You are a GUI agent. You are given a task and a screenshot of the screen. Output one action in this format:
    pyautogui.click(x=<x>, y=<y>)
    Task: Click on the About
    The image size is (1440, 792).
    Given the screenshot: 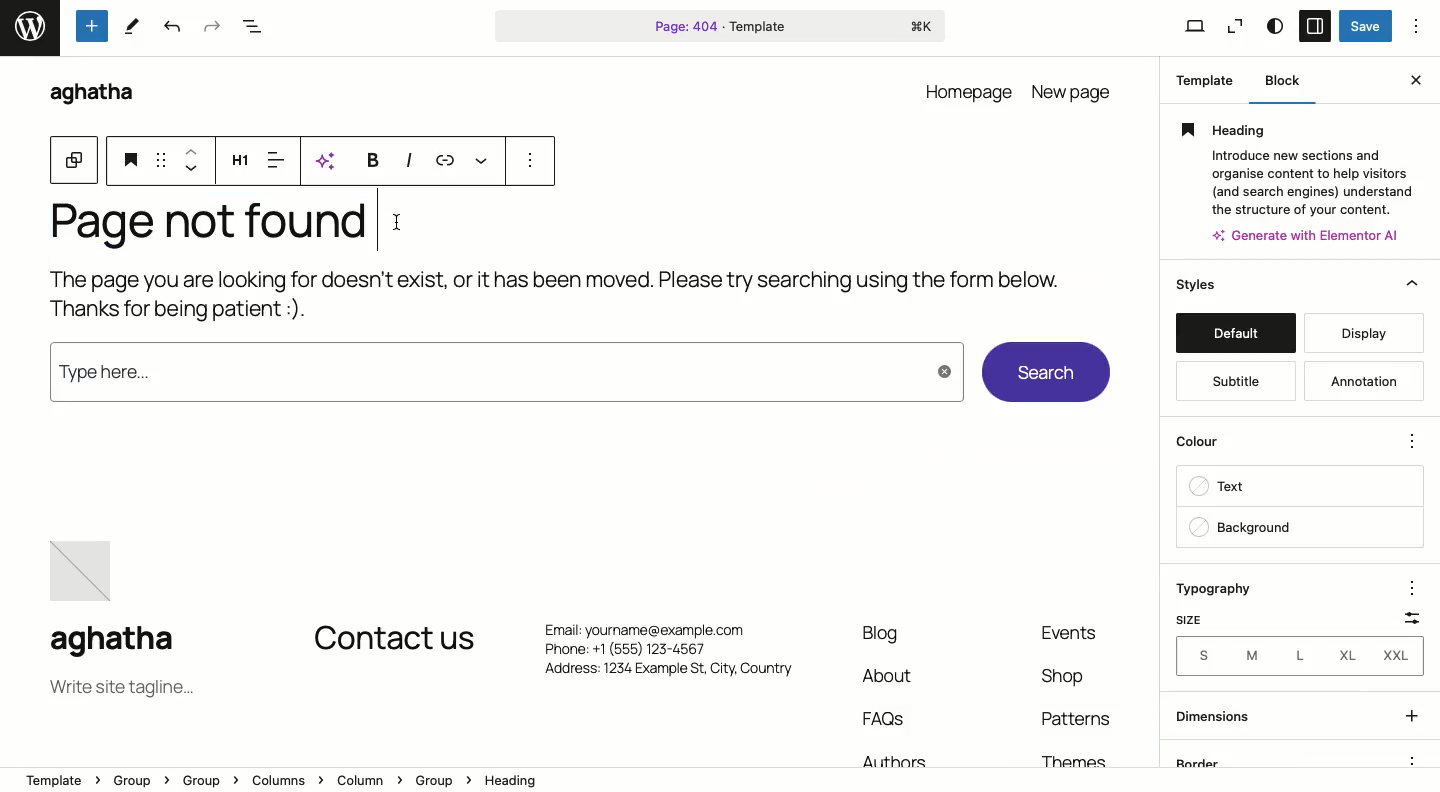 What is the action you would take?
    pyautogui.click(x=892, y=675)
    